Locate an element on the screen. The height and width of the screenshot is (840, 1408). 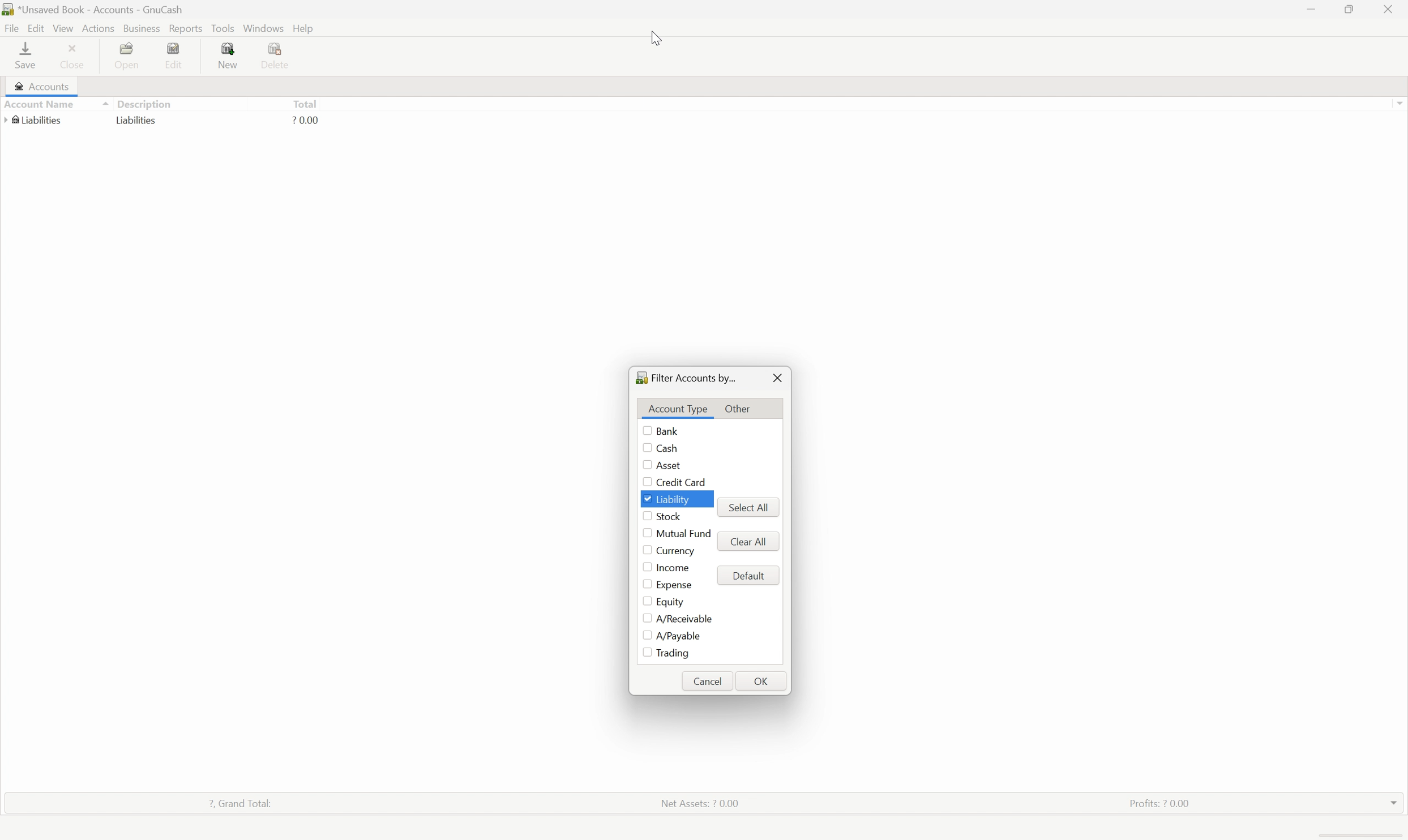
Checkbox is located at coordinates (645, 550).